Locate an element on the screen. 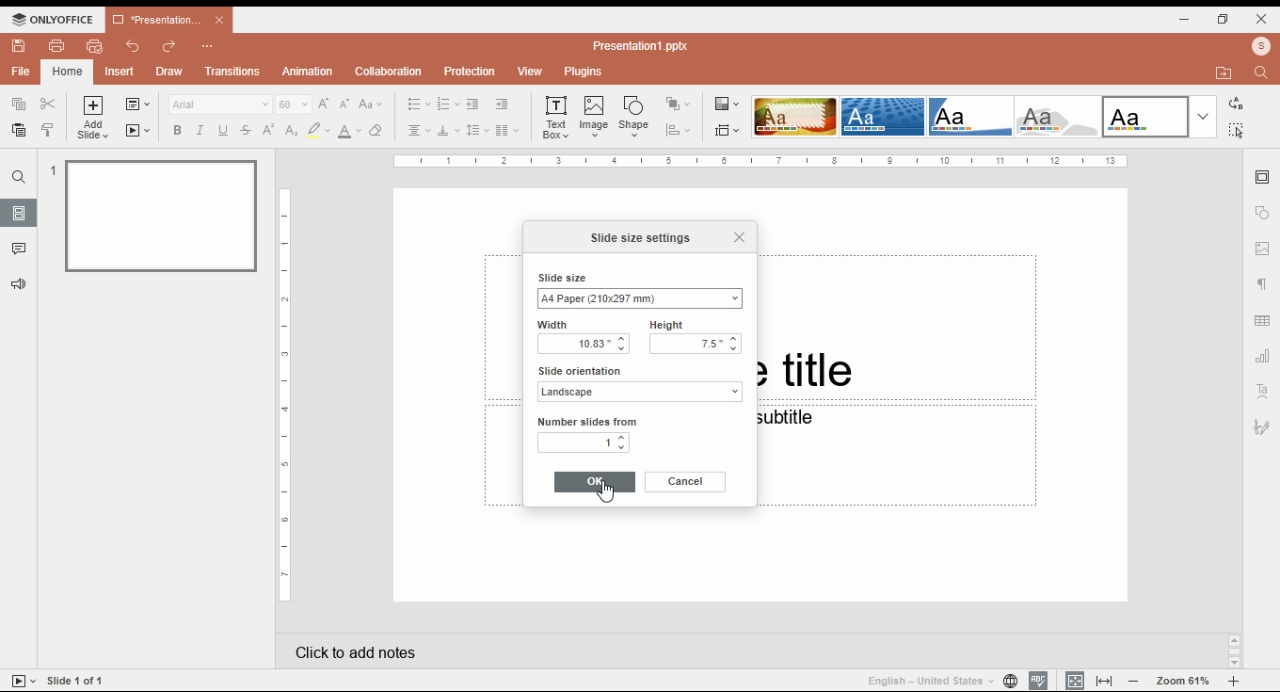  Page Scale is located at coordinates (286, 396).